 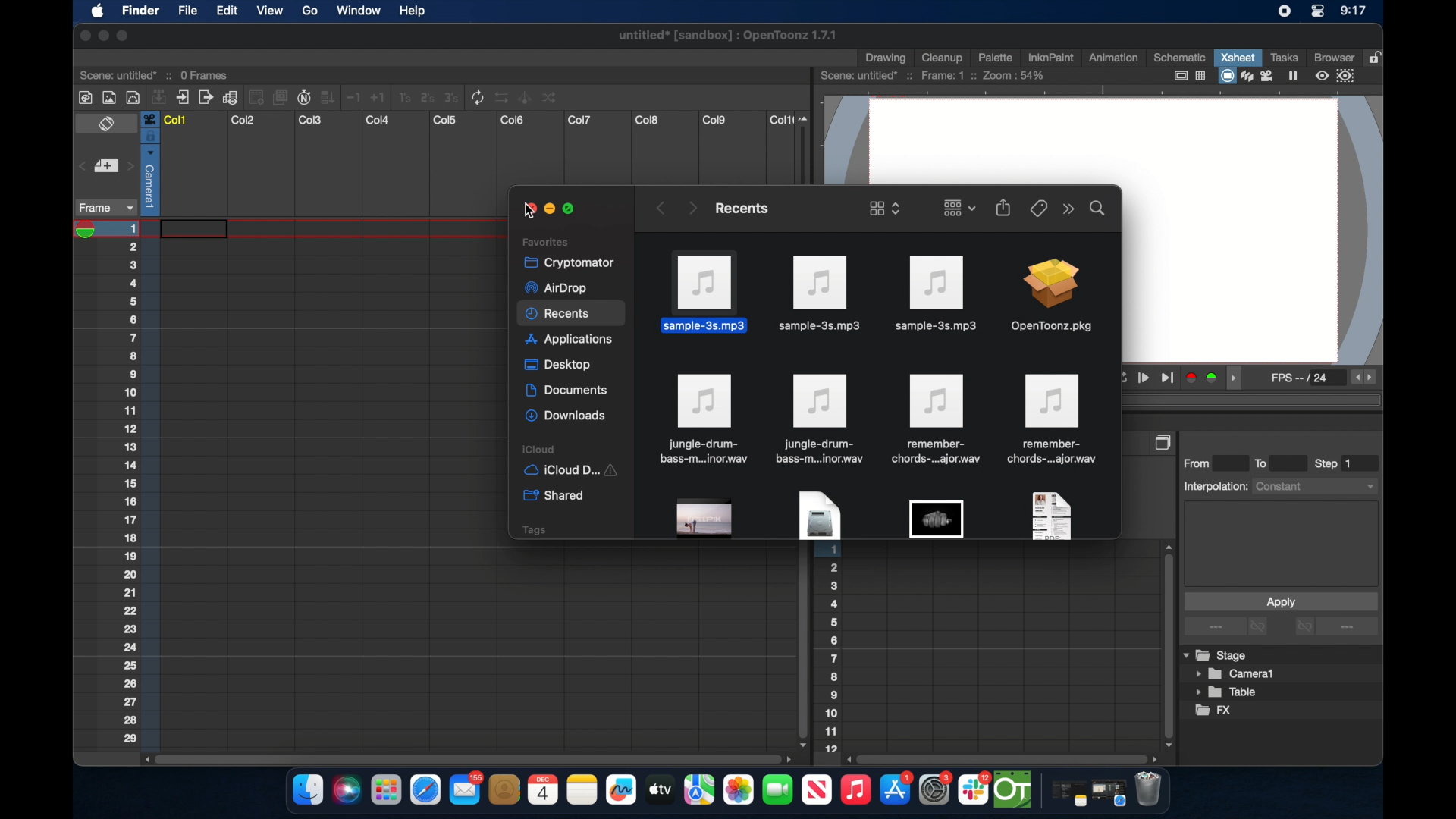 I want to click on finder, so click(x=140, y=12).